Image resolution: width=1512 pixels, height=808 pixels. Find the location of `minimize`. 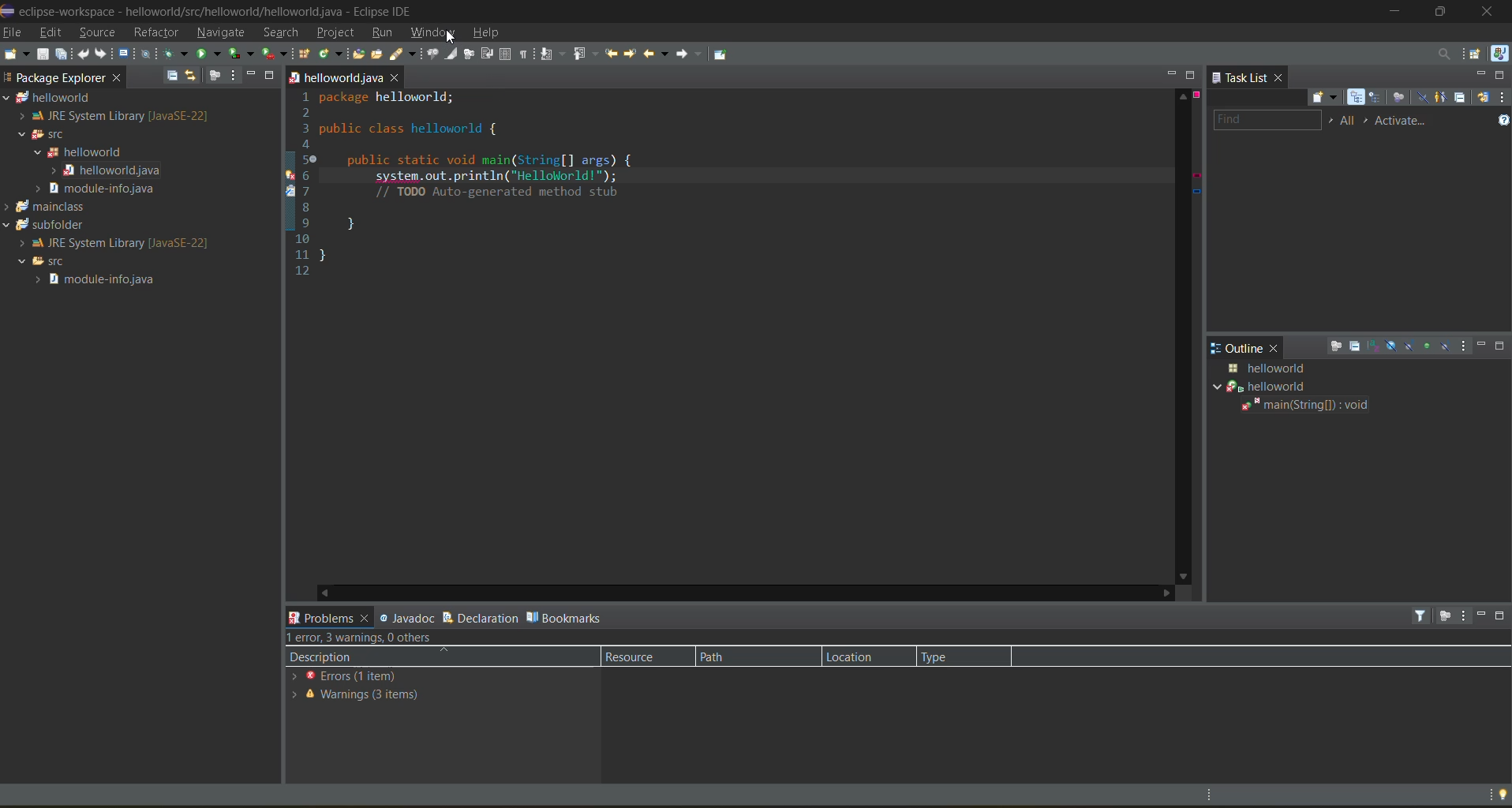

minimize is located at coordinates (251, 75).